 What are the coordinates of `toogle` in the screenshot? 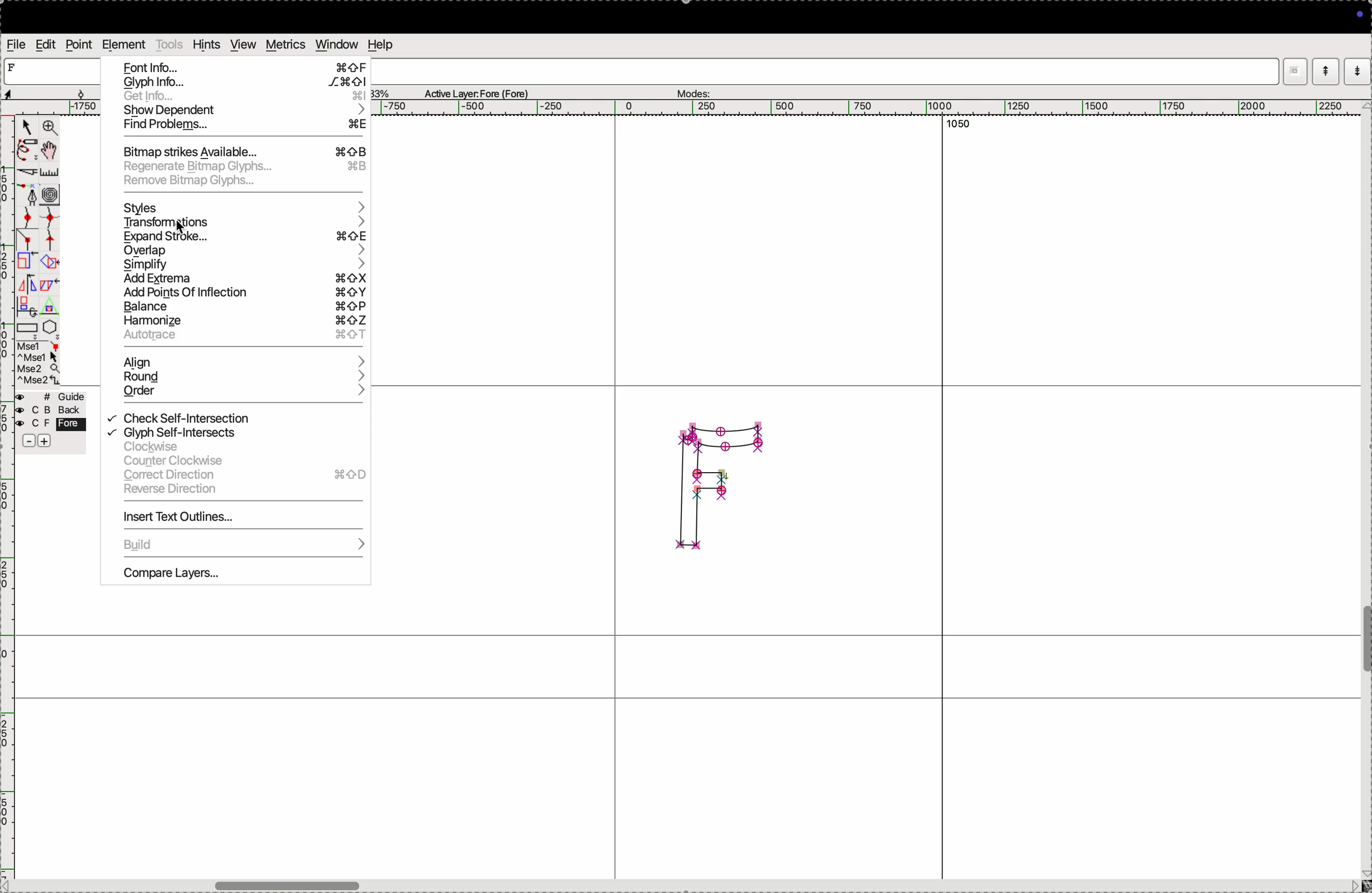 It's located at (311, 883).